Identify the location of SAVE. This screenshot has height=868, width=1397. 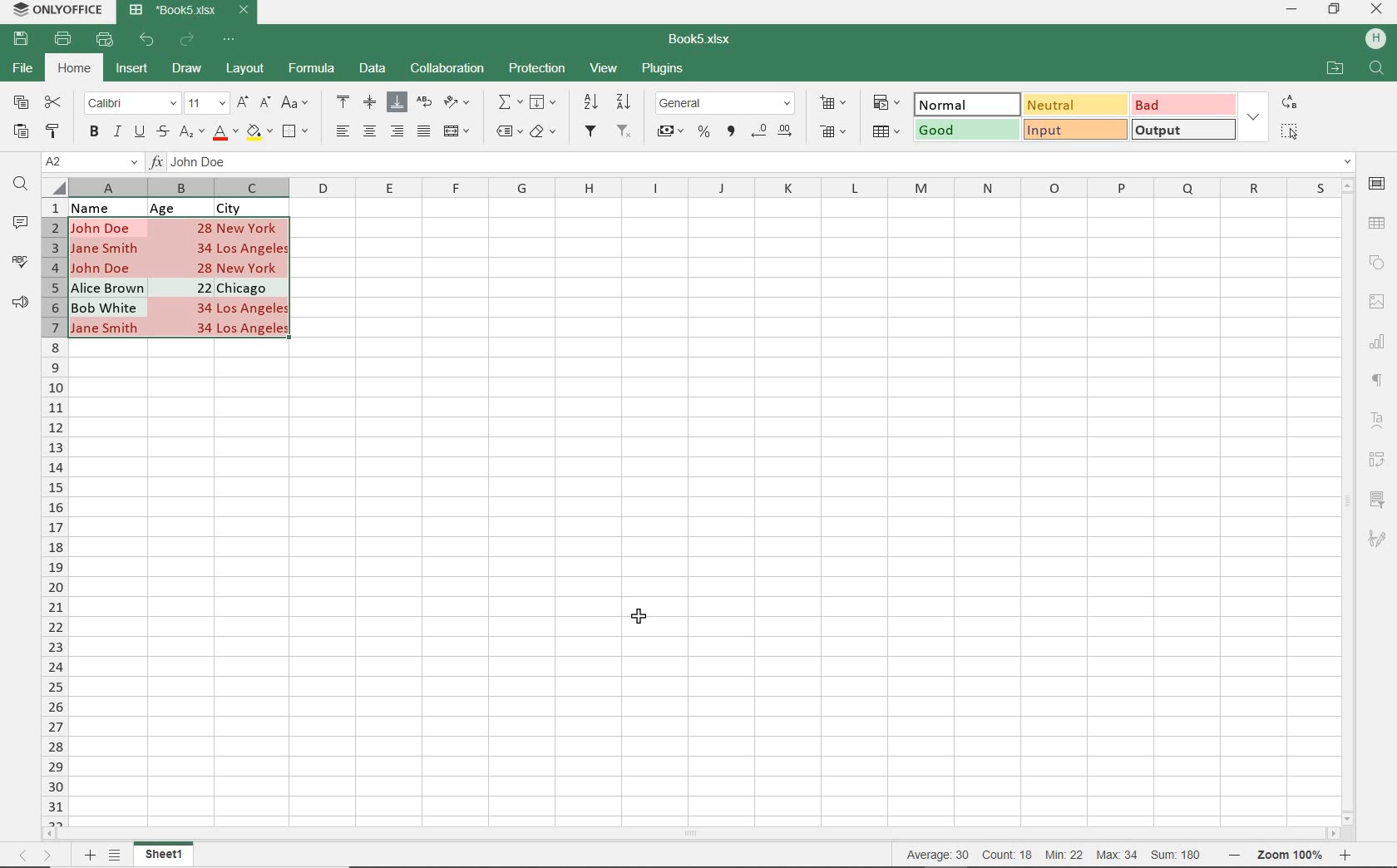
(23, 37).